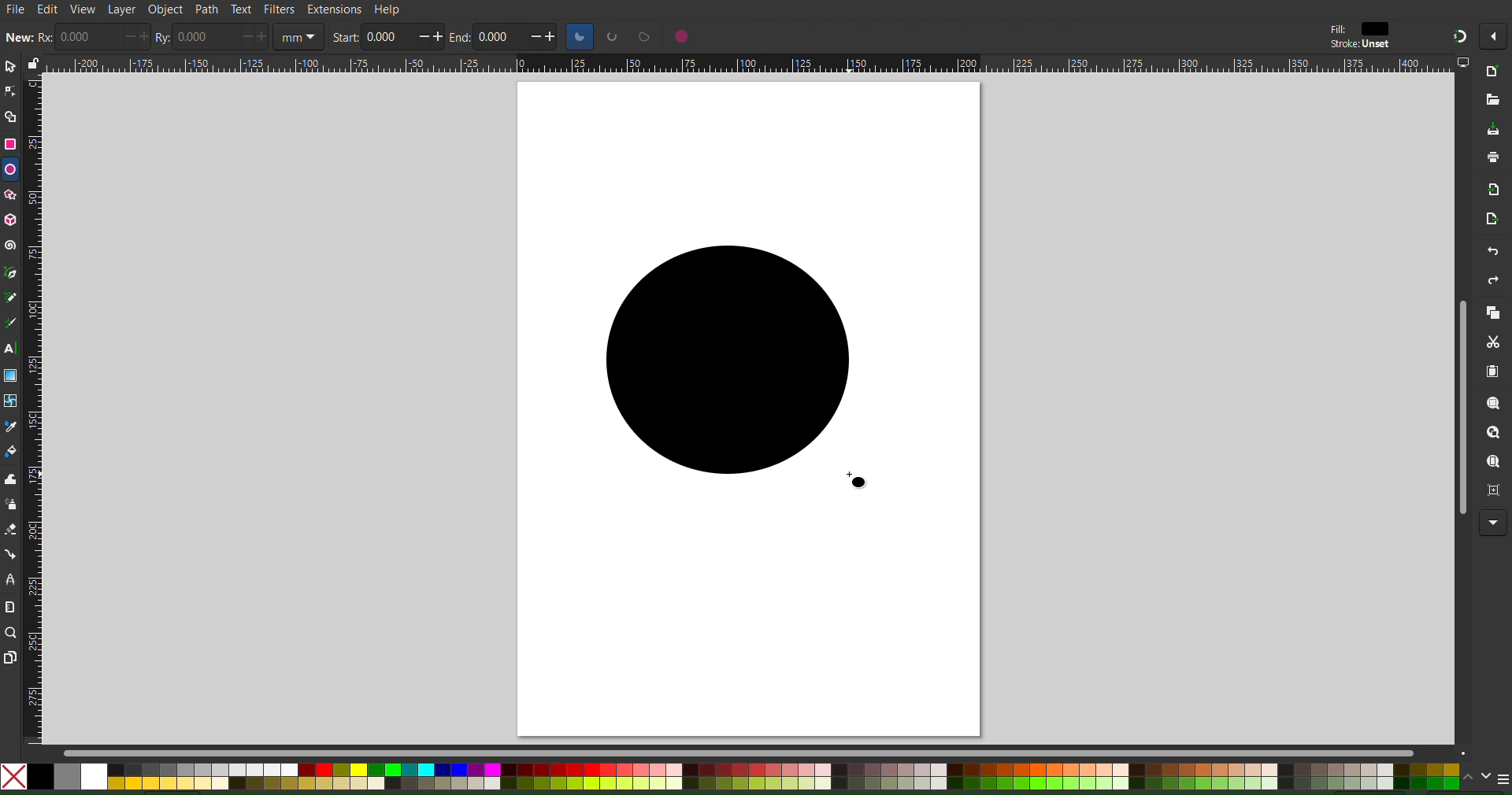 Image resolution: width=1512 pixels, height=795 pixels. What do you see at coordinates (11, 144) in the screenshot?
I see `Rectangle` at bounding box center [11, 144].